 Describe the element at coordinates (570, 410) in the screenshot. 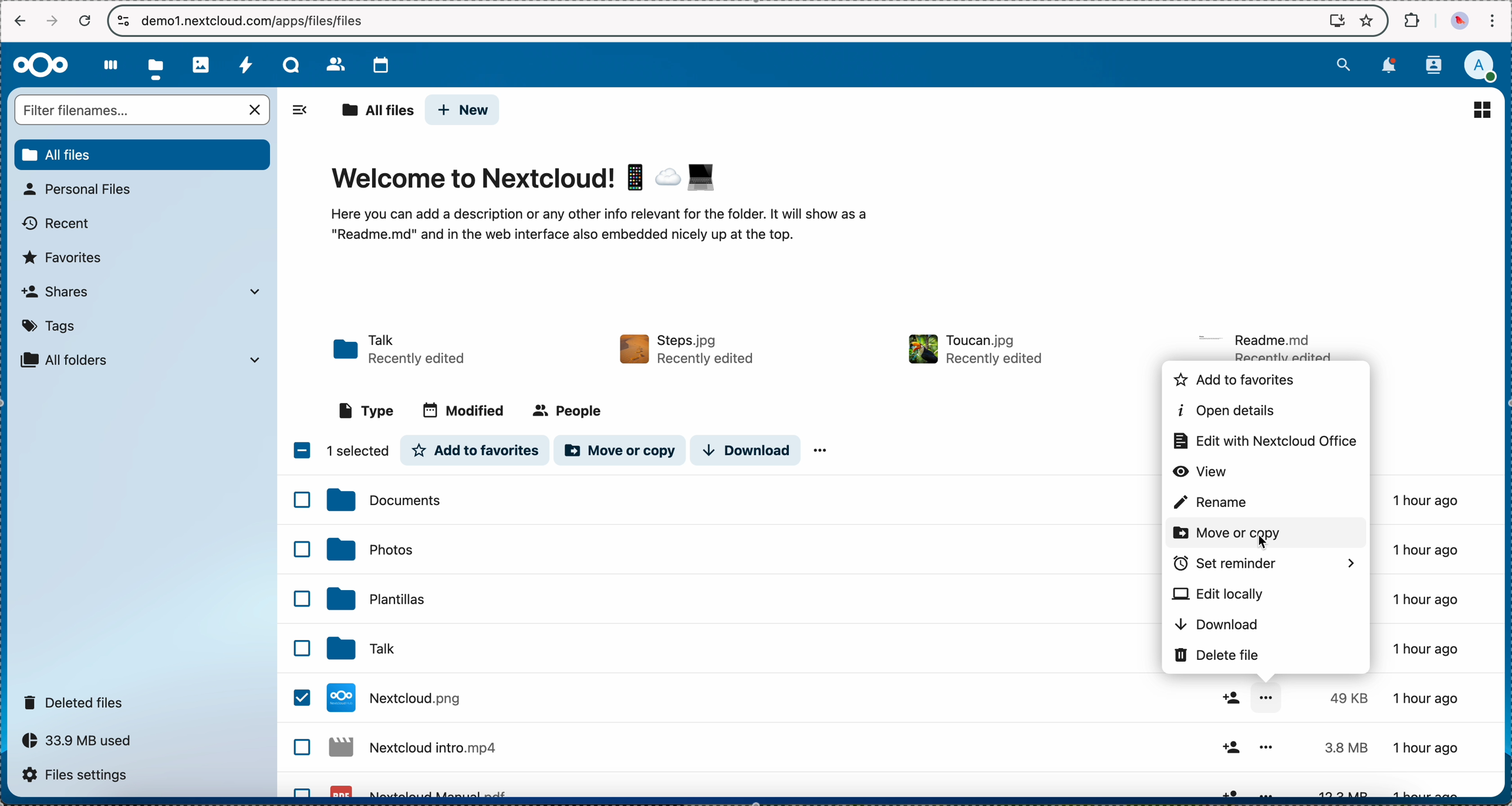

I see `people` at that location.